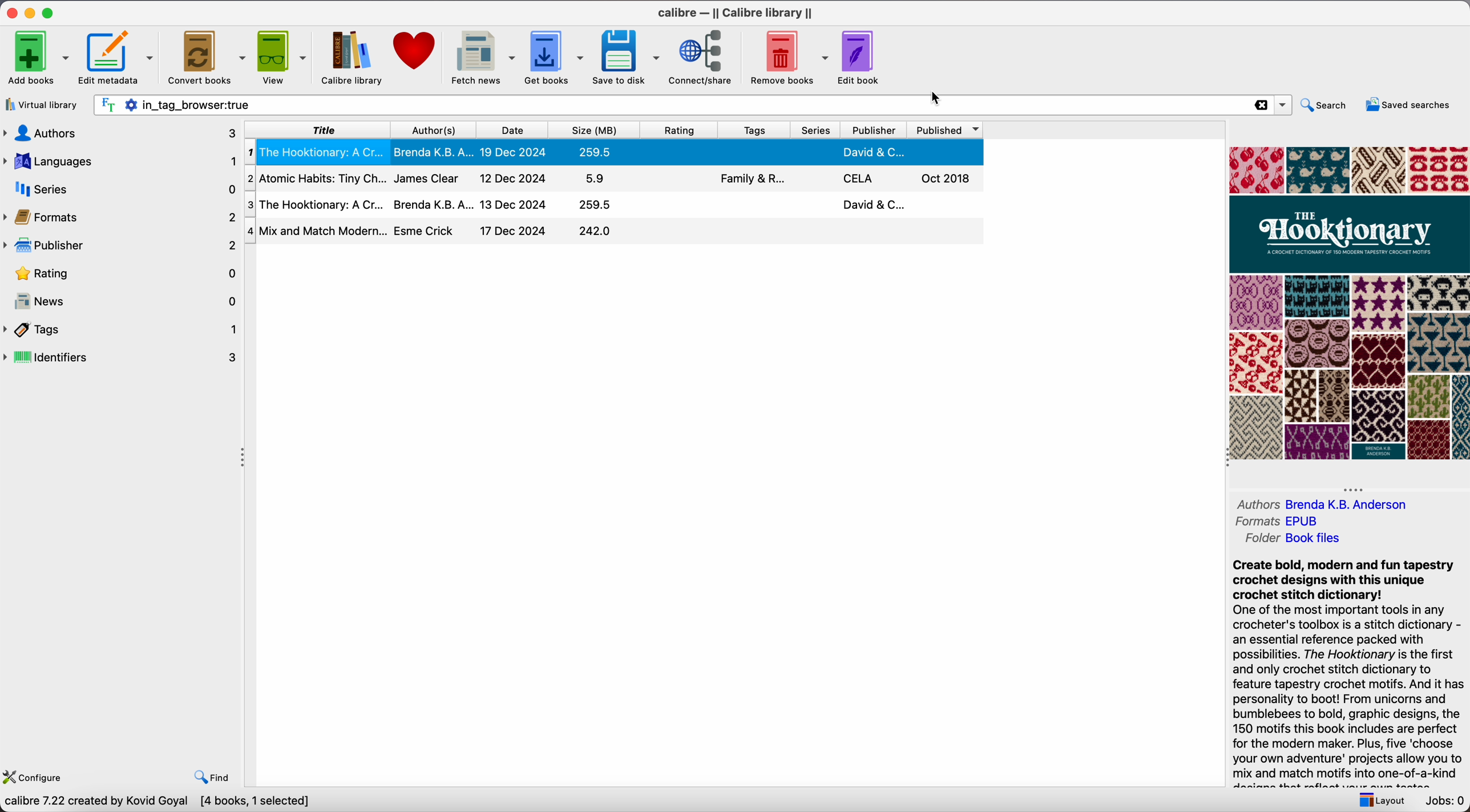  Describe the element at coordinates (34, 778) in the screenshot. I see `Configure` at that location.